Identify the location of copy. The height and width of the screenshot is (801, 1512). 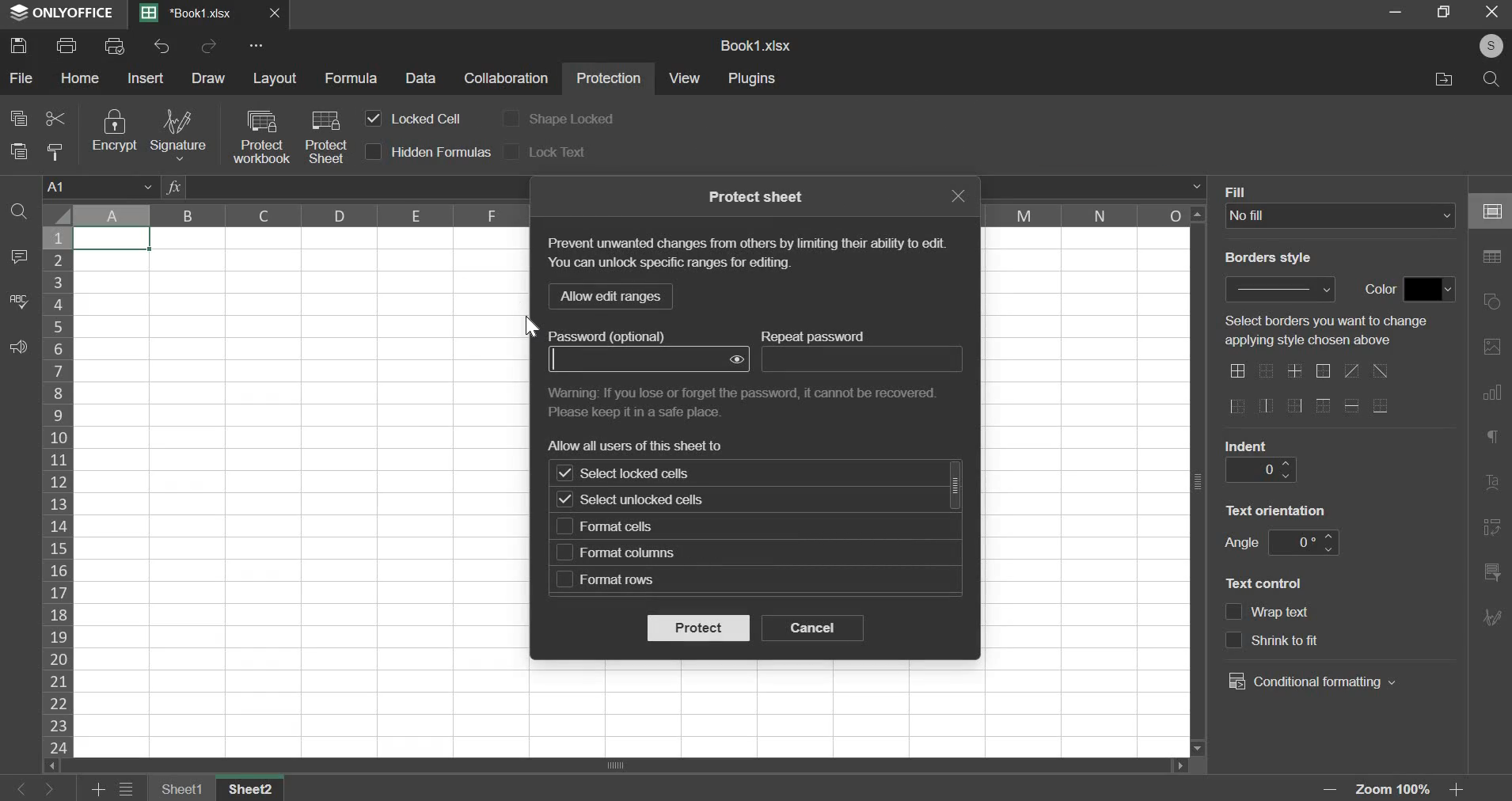
(18, 117).